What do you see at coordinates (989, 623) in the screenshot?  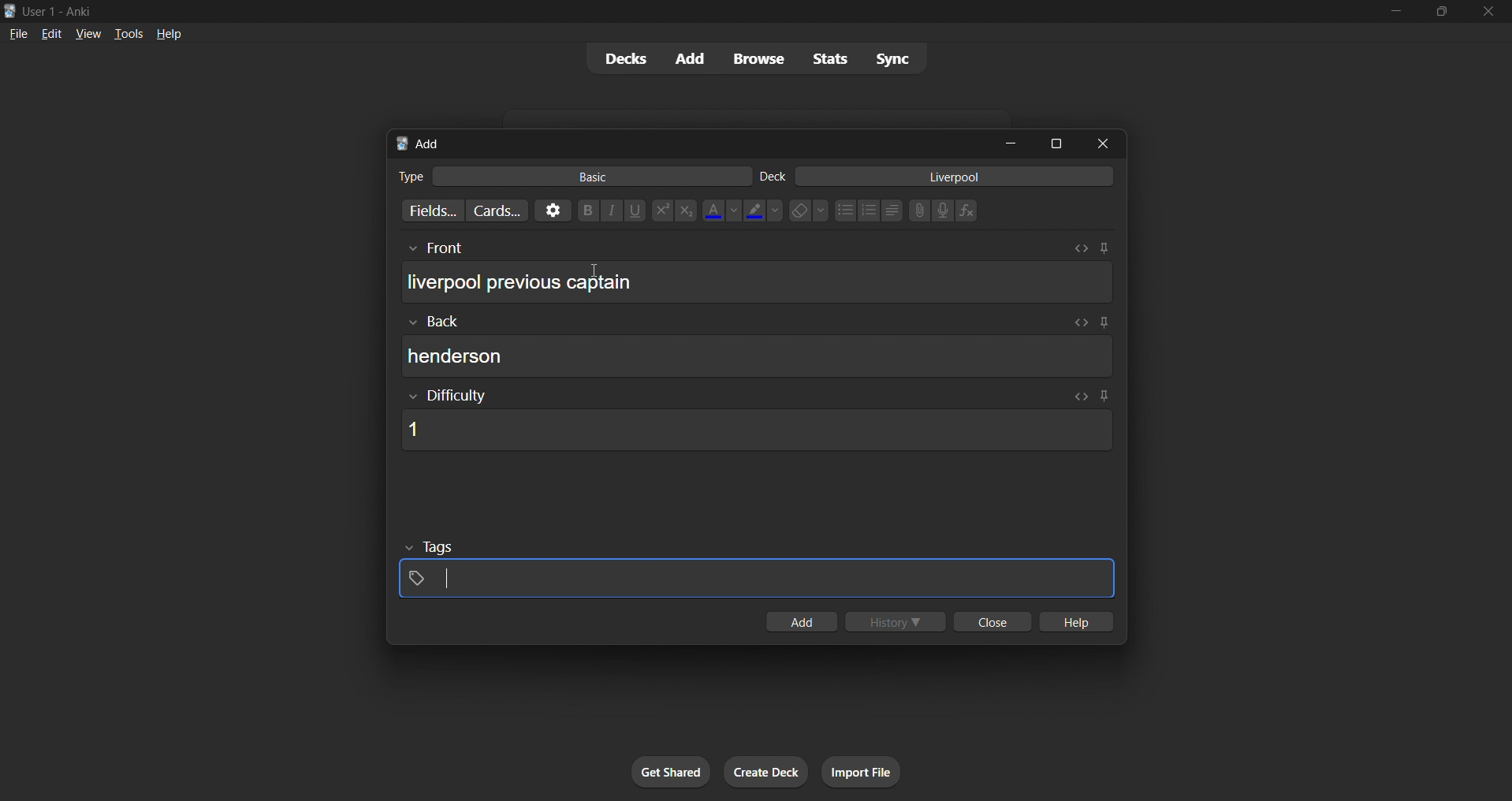 I see `close` at bounding box center [989, 623].